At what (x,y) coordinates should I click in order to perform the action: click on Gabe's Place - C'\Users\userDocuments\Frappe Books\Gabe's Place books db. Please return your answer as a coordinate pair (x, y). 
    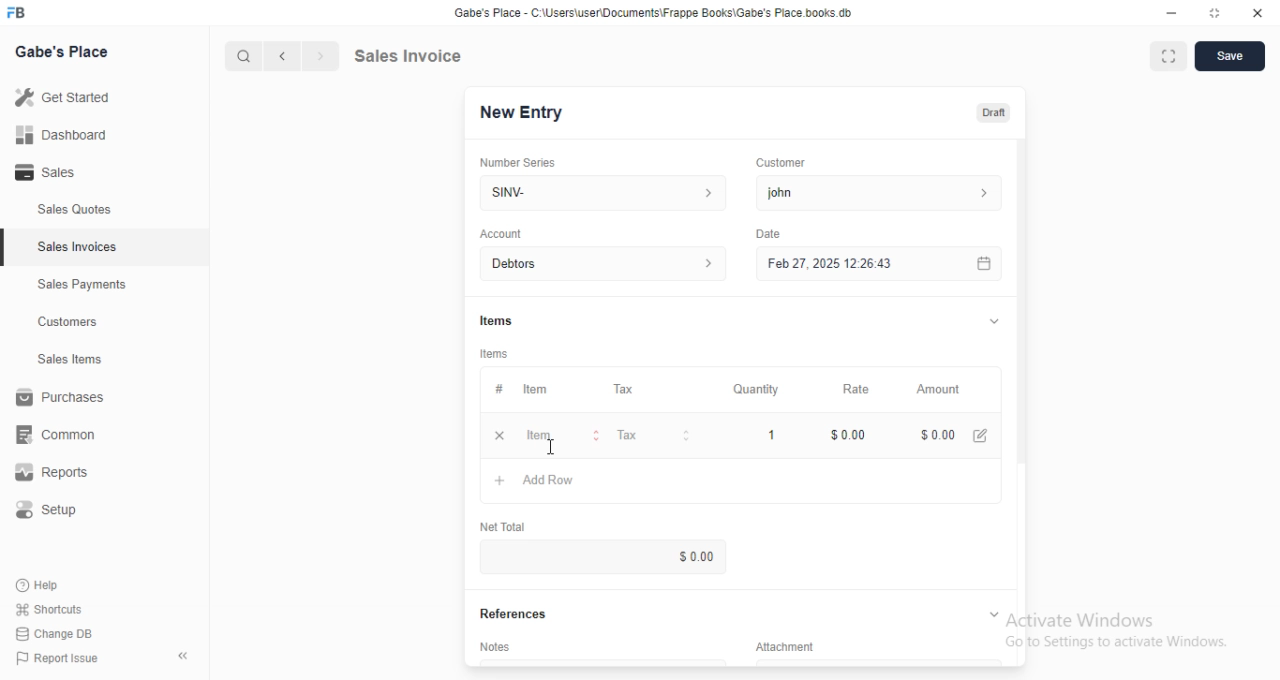
    Looking at the image, I should click on (657, 13).